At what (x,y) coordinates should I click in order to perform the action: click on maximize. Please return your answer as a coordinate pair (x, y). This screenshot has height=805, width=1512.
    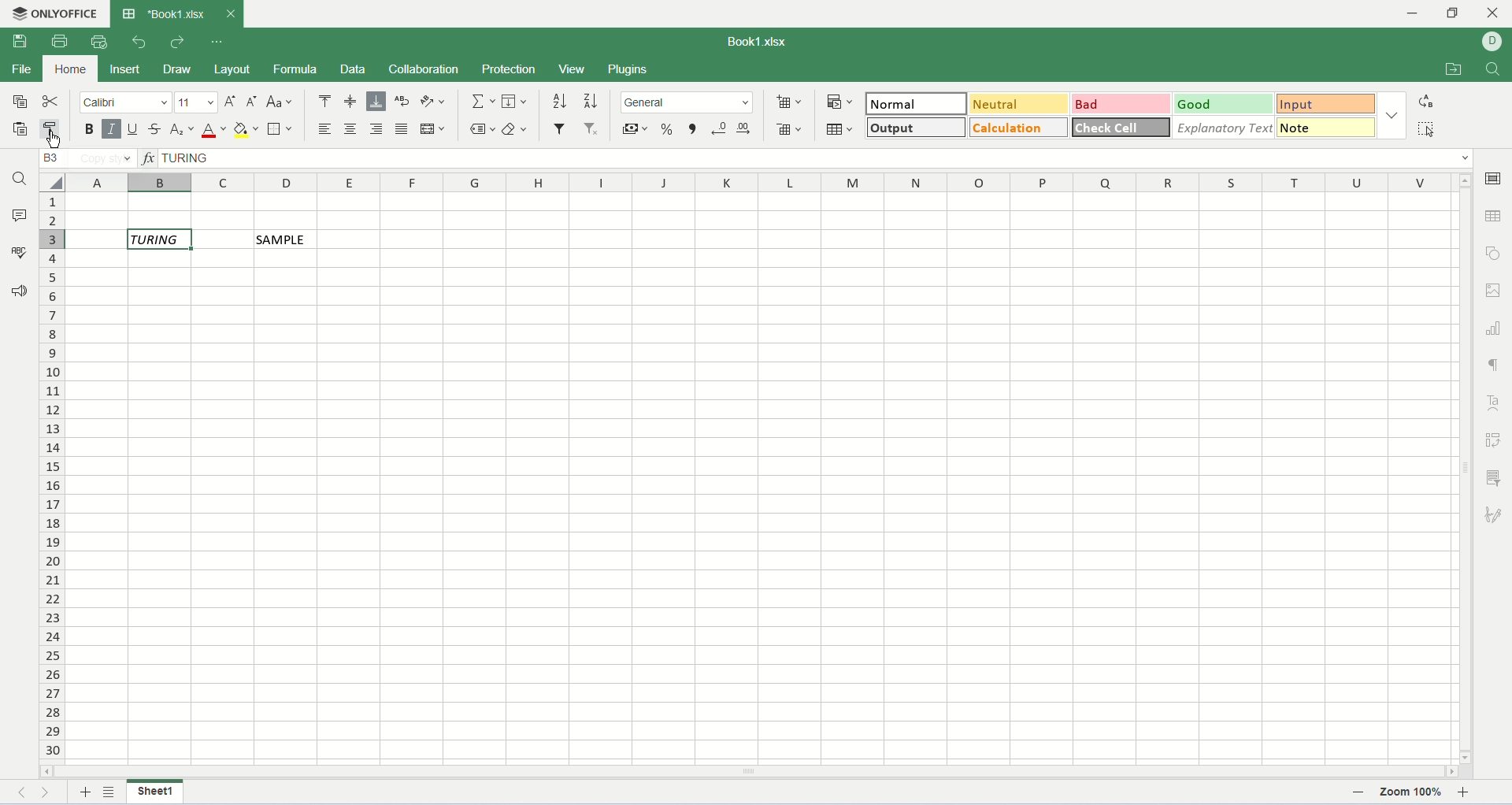
    Looking at the image, I should click on (1457, 15).